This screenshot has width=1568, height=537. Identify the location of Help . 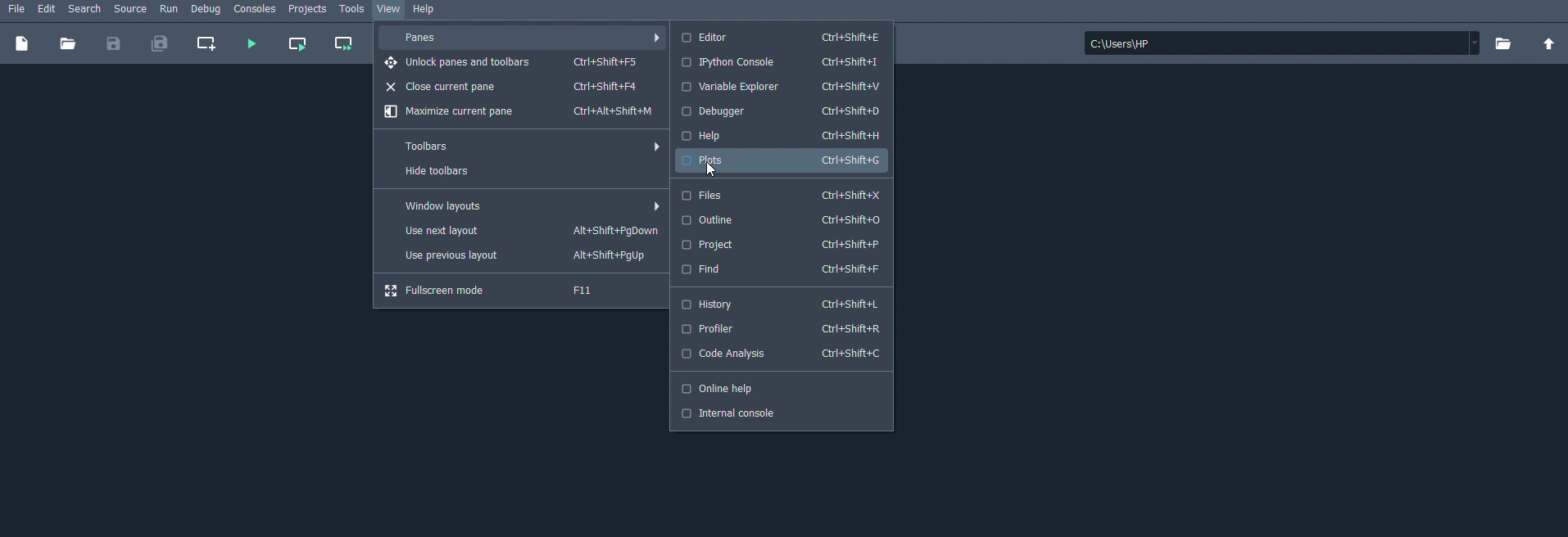
(782, 137).